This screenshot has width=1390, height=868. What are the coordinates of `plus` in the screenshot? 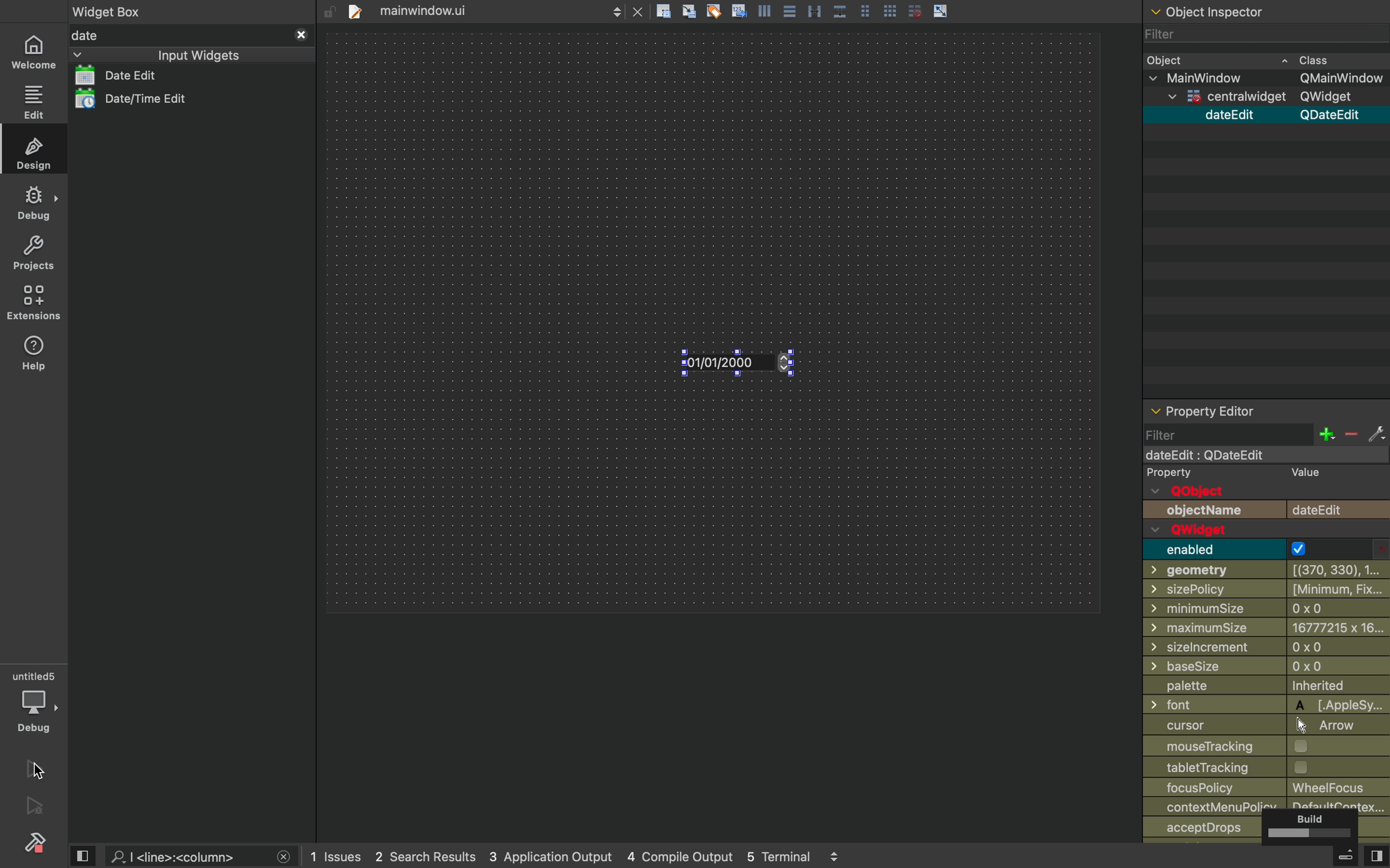 It's located at (1326, 434).